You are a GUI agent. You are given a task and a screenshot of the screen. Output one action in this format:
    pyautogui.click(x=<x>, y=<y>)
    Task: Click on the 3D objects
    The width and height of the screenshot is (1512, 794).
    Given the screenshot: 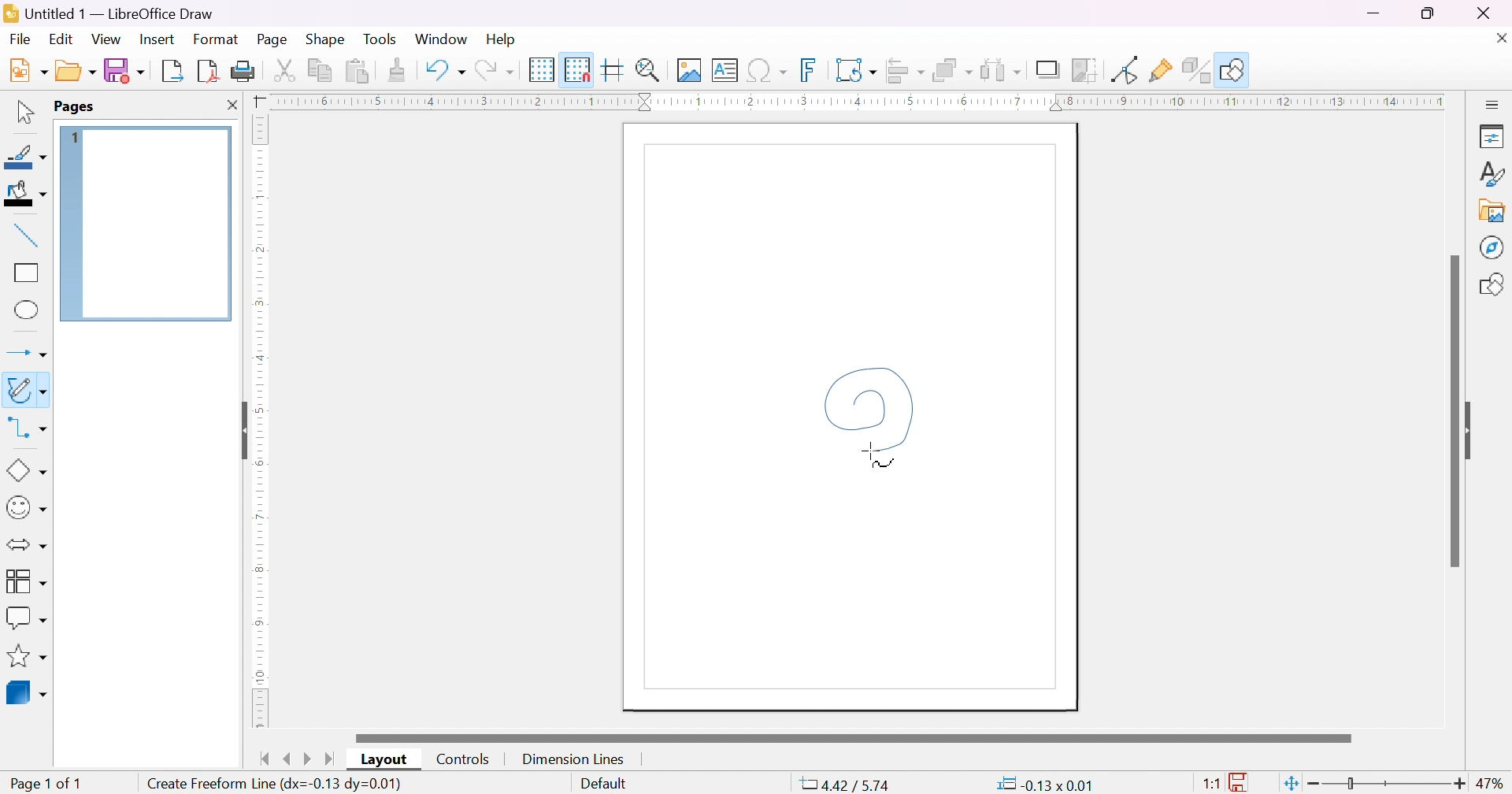 What is the action you would take?
    pyautogui.click(x=26, y=693)
    